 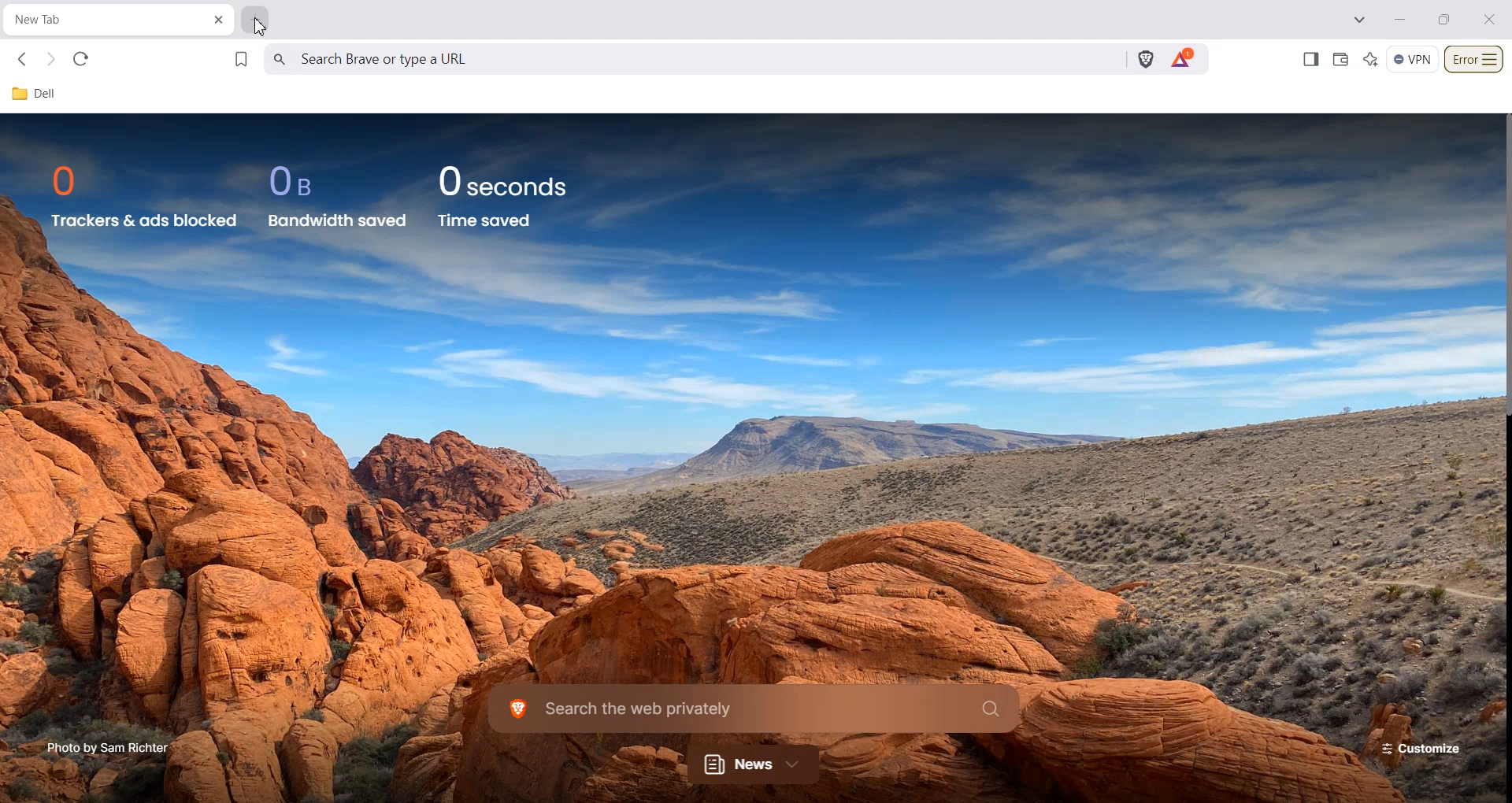 What do you see at coordinates (144, 220) in the screenshot?
I see `Trackers & ads blocked` at bounding box center [144, 220].